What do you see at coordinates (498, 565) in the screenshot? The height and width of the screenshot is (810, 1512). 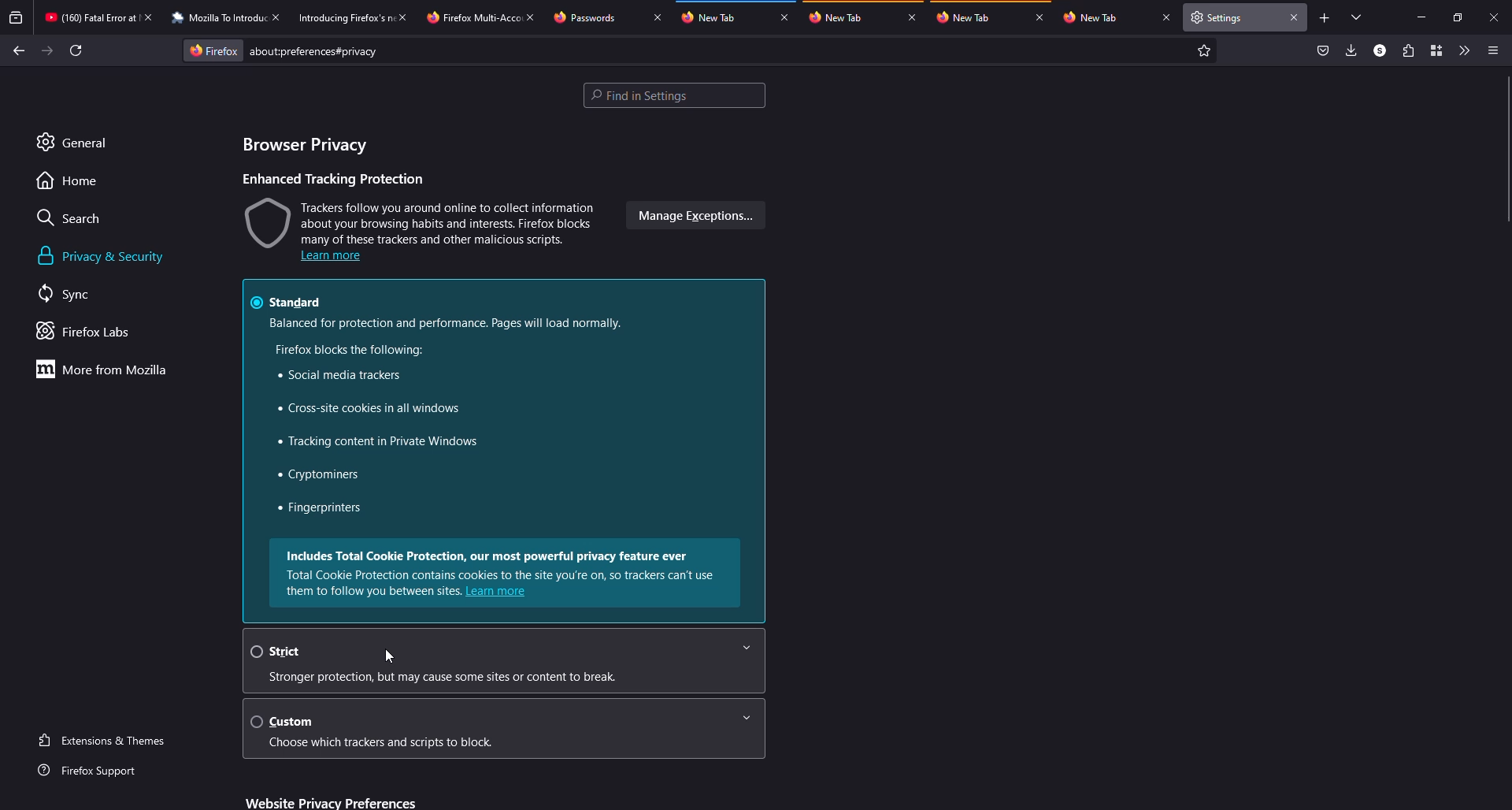 I see `info` at bounding box center [498, 565].